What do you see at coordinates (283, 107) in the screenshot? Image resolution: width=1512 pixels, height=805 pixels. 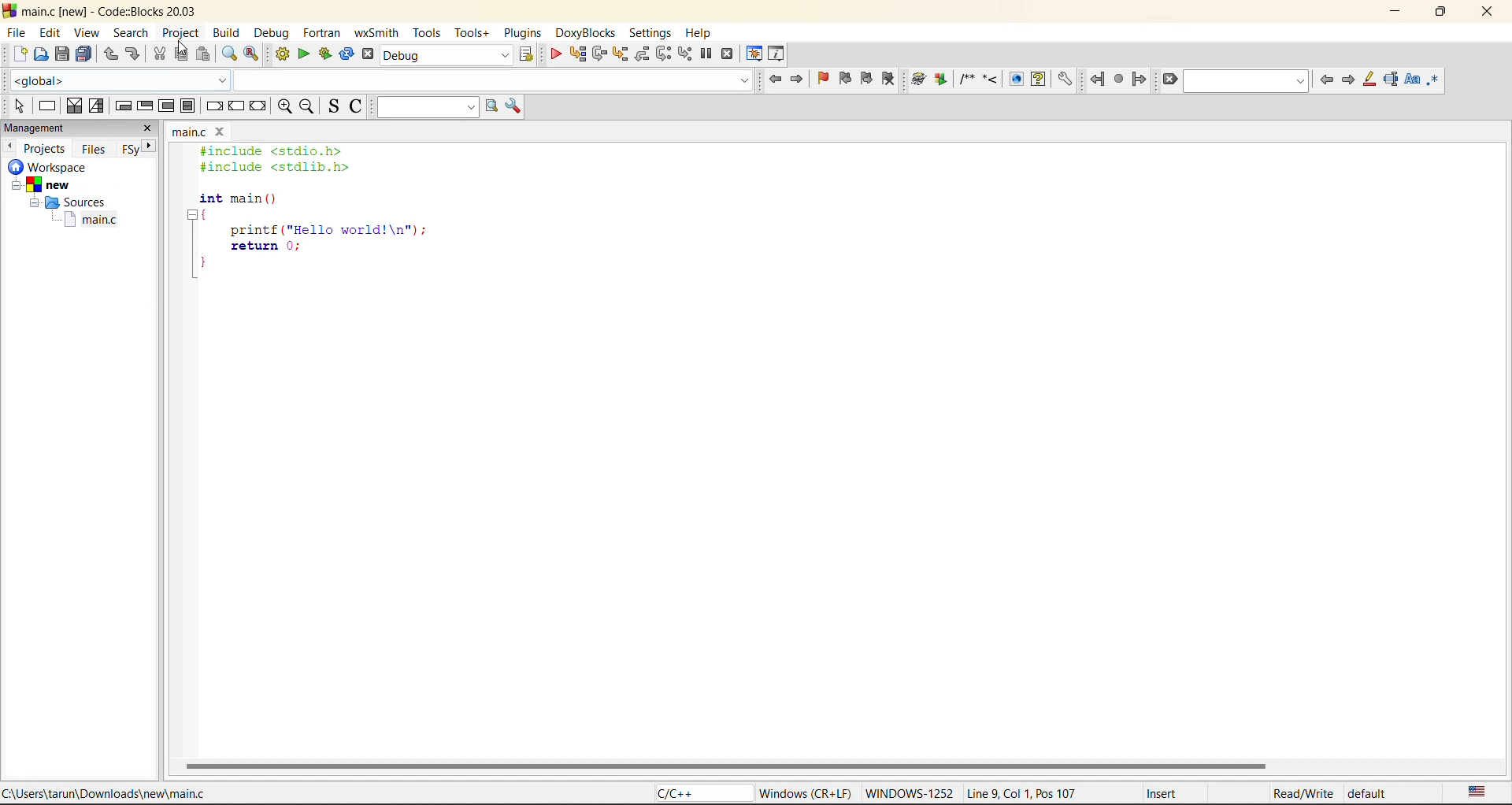 I see `zoom in` at bounding box center [283, 107].